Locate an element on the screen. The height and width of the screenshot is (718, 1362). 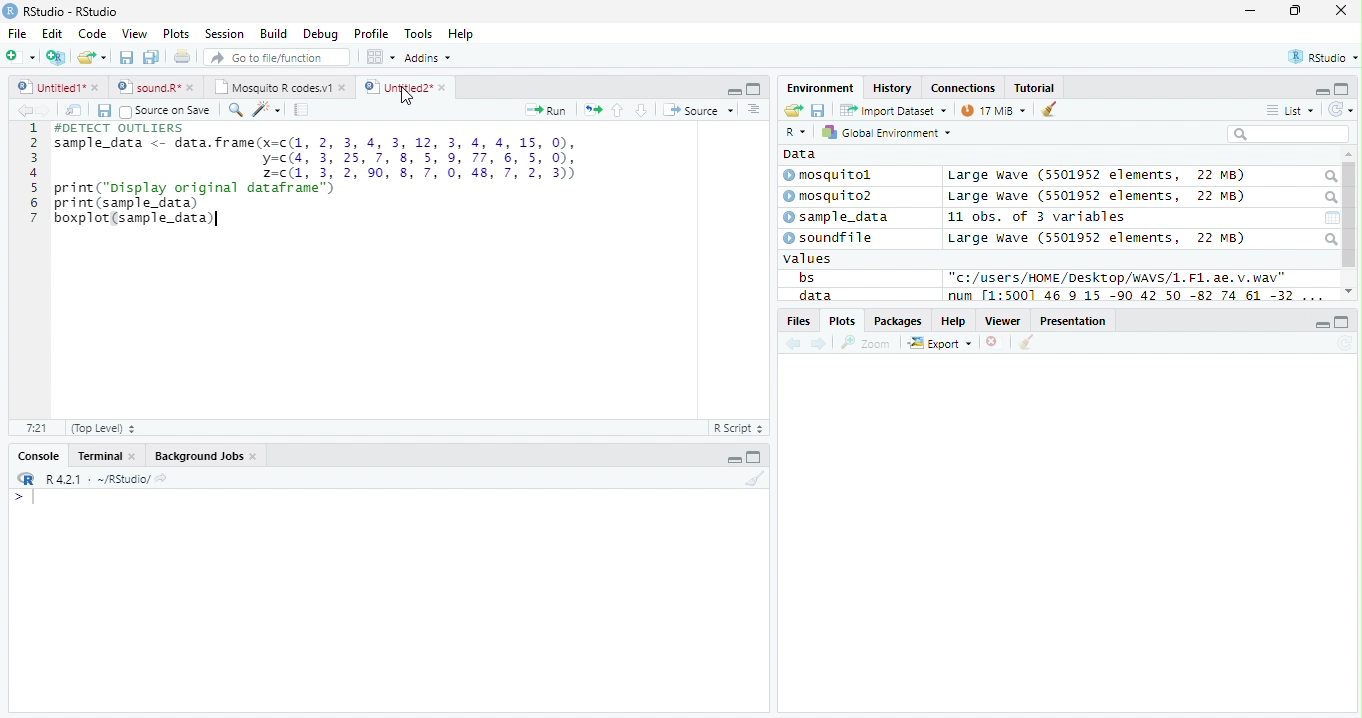
Go forward is located at coordinates (45, 110).